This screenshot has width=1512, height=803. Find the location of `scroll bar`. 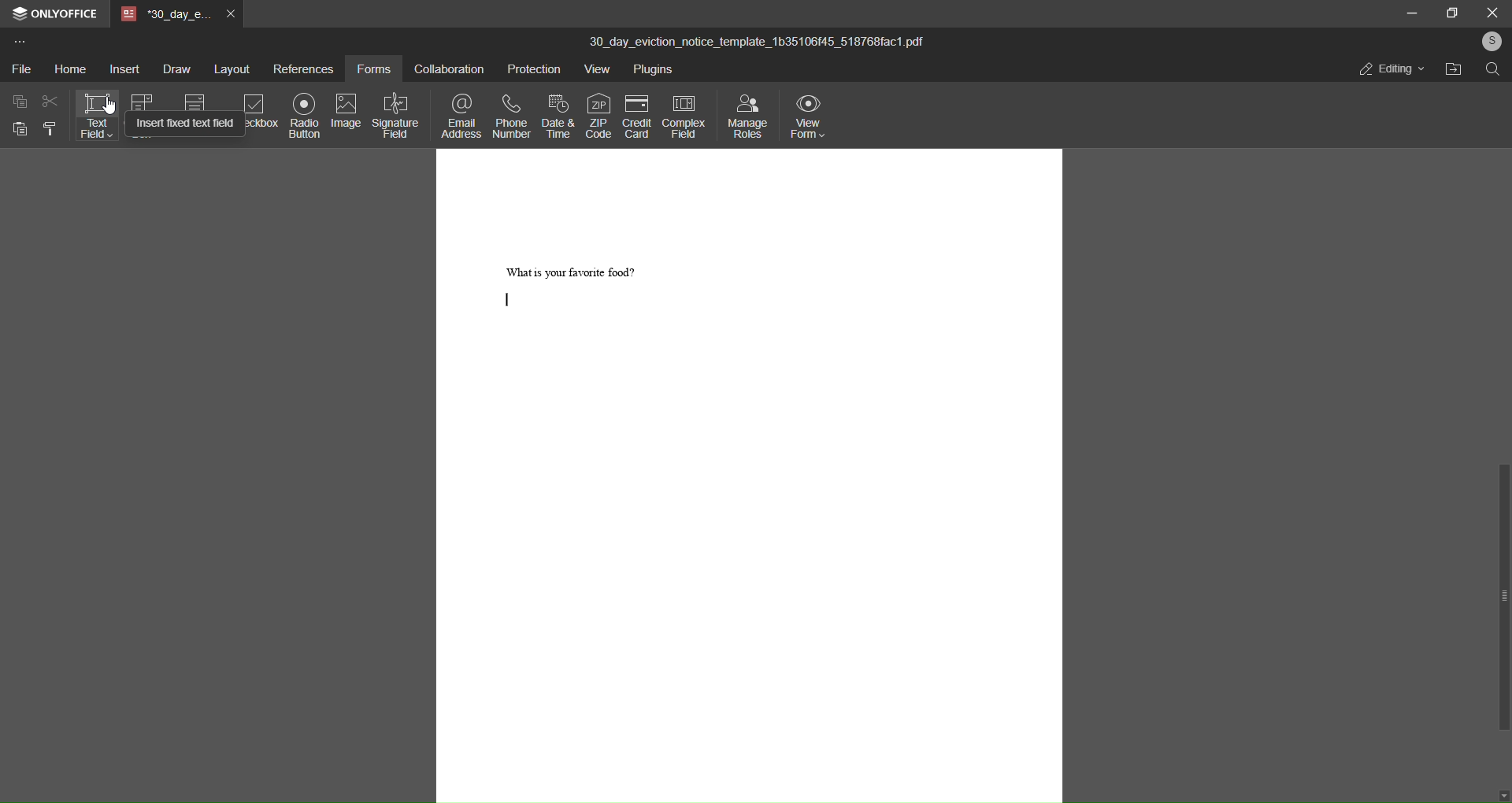

scroll bar is located at coordinates (1503, 597).